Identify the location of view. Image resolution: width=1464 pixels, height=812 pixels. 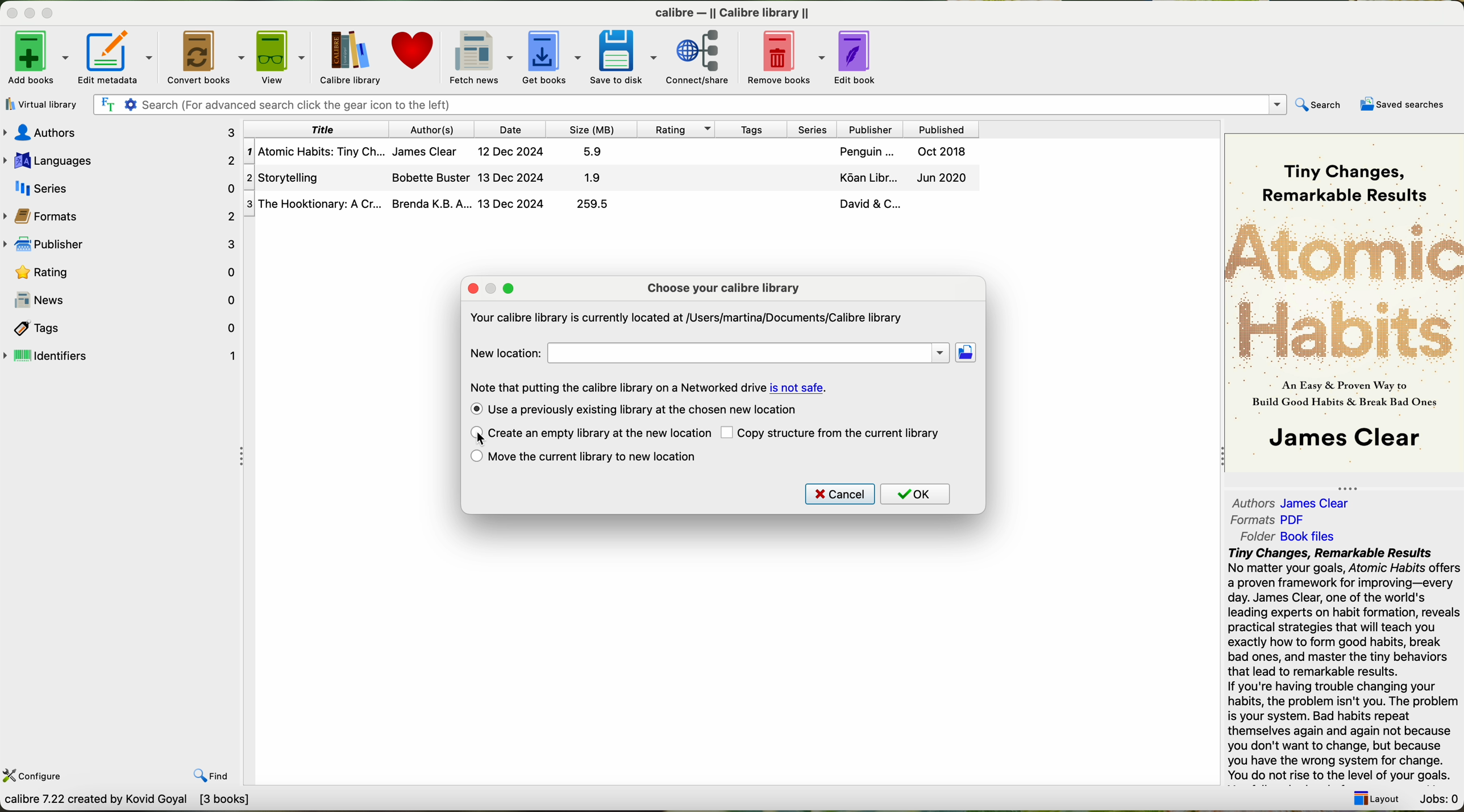
(281, 57).